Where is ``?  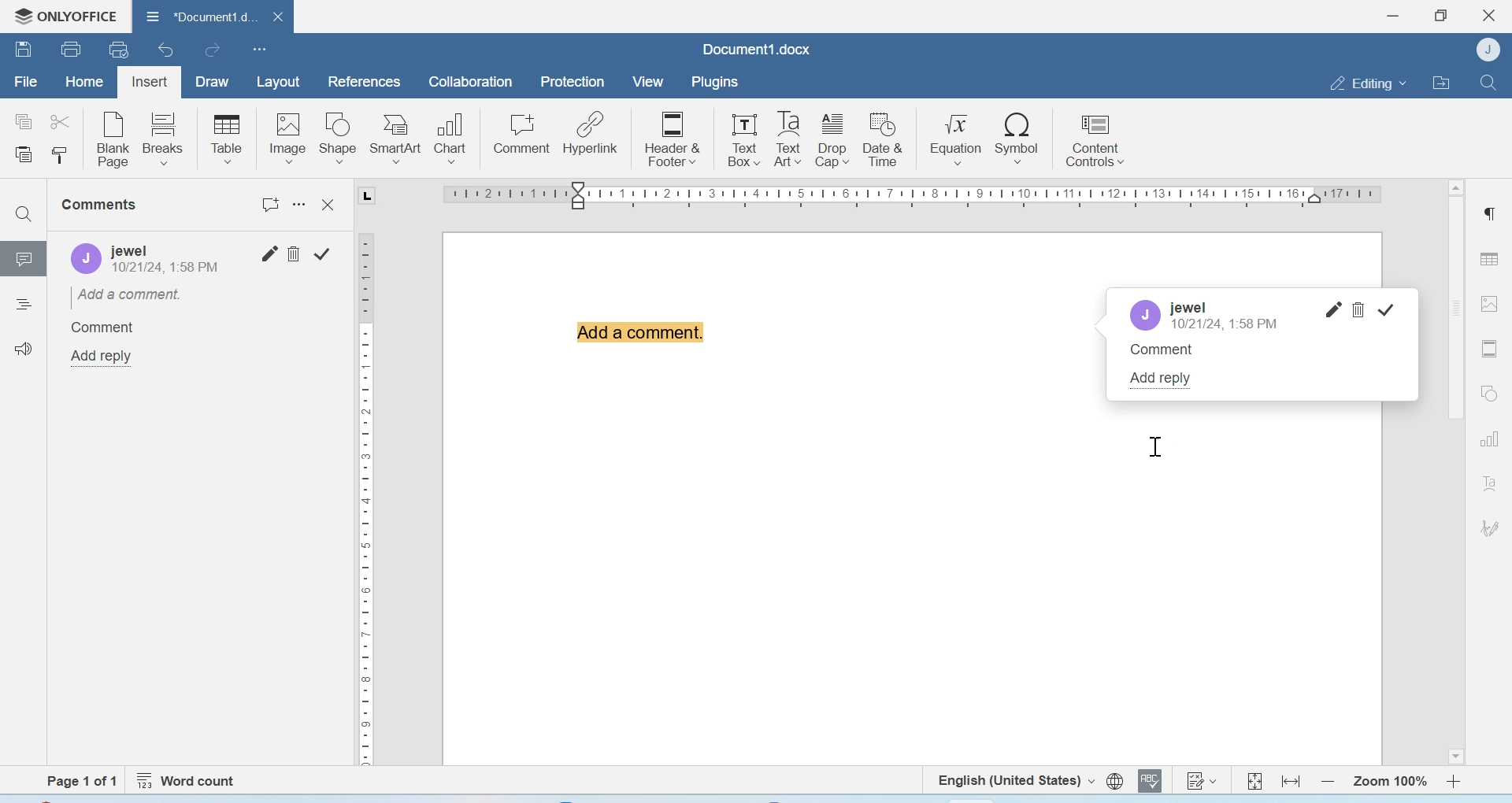
 is located at coordinates (1488, 50).